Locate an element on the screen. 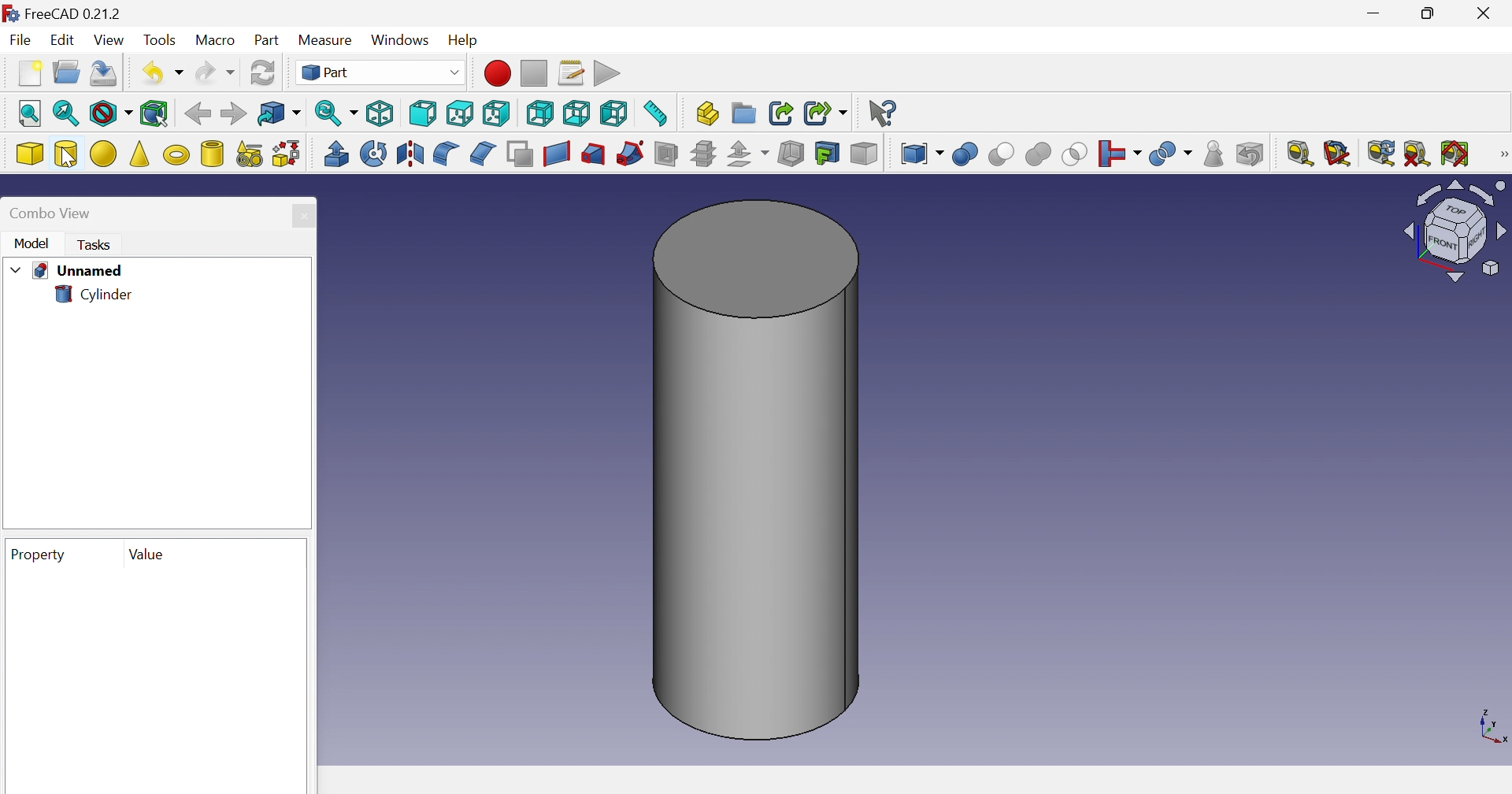  Check geometry is located at coordinates (1211, 154).